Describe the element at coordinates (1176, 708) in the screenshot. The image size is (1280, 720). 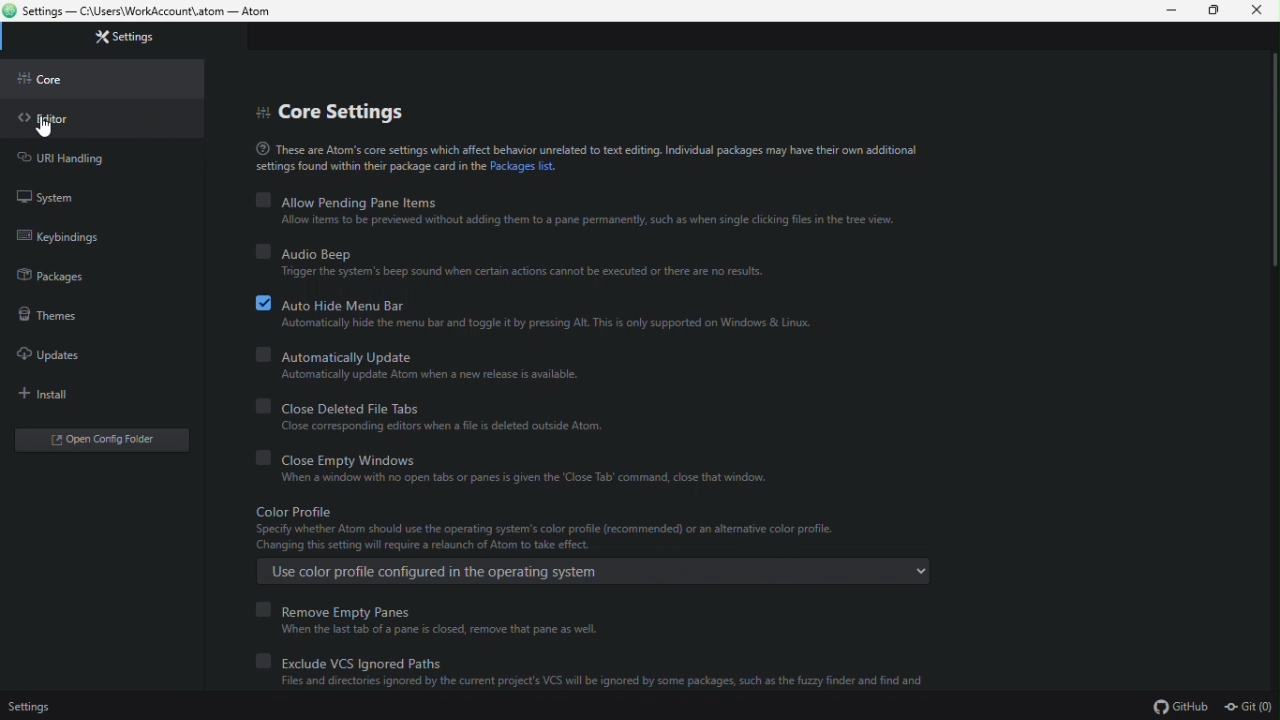
I see `github` at that location.